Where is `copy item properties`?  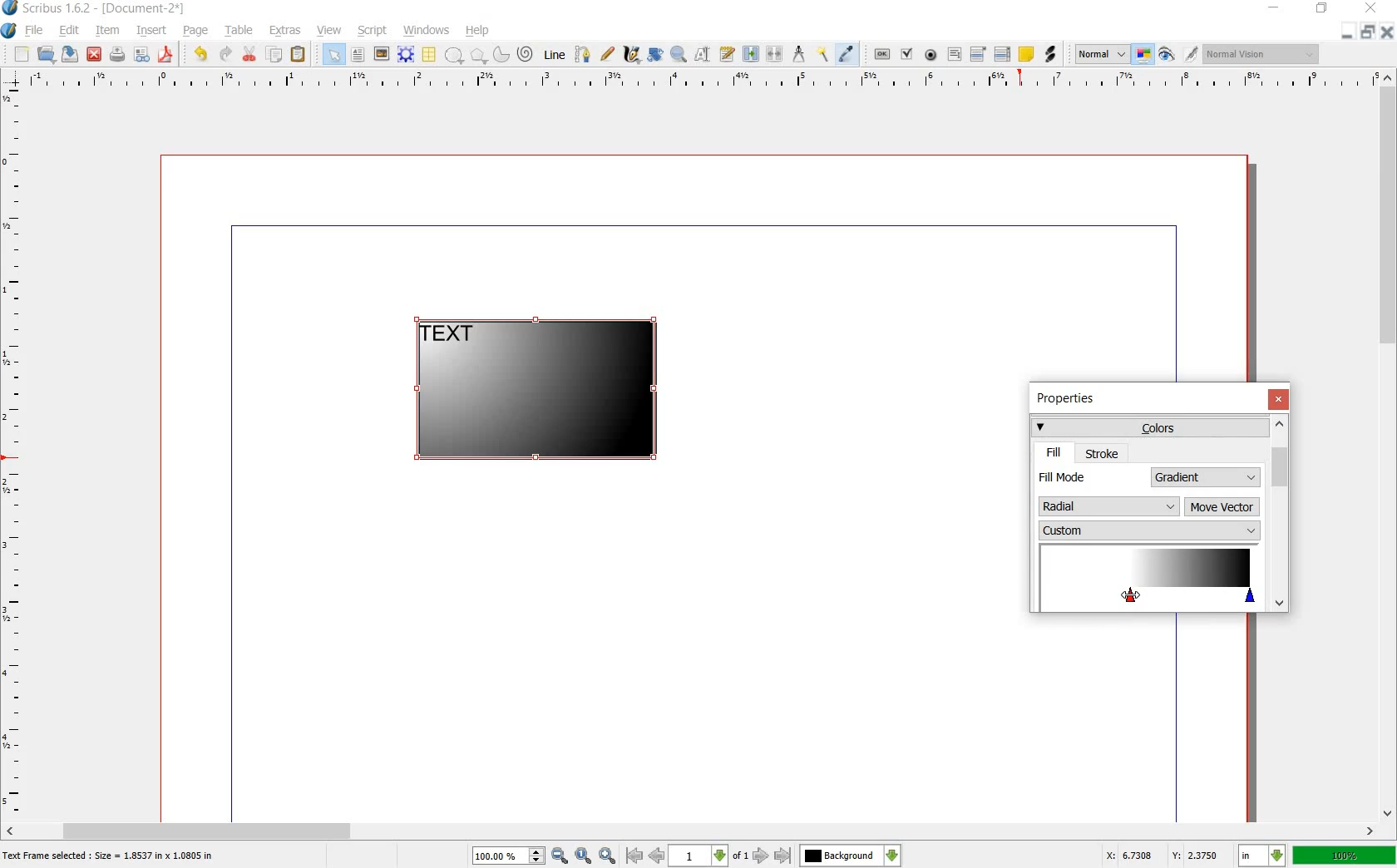
copy item properties is located at coordinates (824, 53).